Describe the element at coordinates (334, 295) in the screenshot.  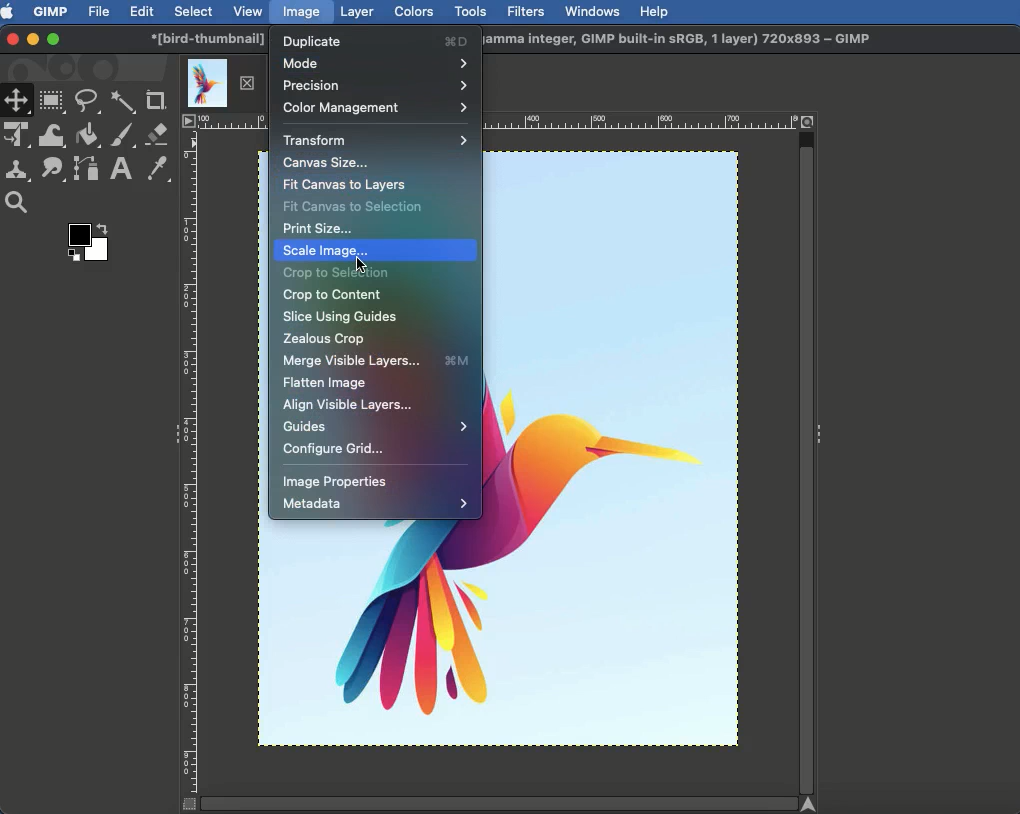
I see `Crop to content` at that location.